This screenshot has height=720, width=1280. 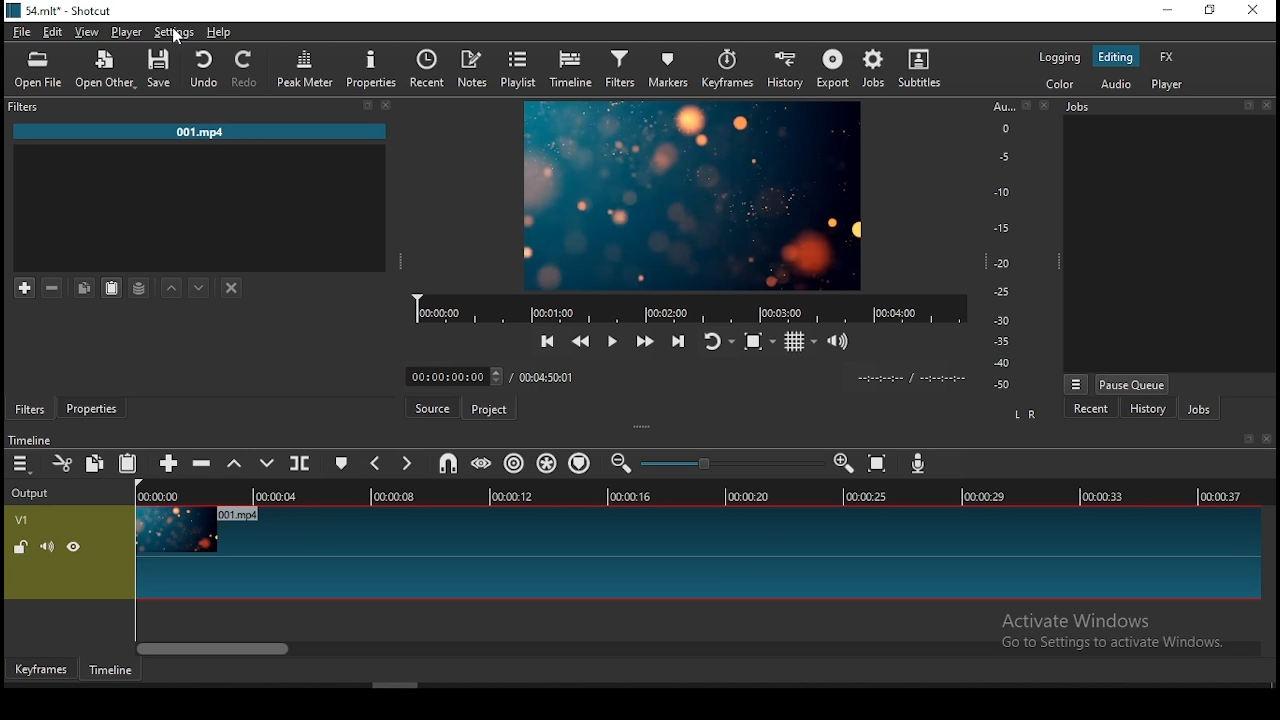 What do you see at coordinates (1267, 439) in the screenshot?
I see `Close` at bounding box center [1267, 439].